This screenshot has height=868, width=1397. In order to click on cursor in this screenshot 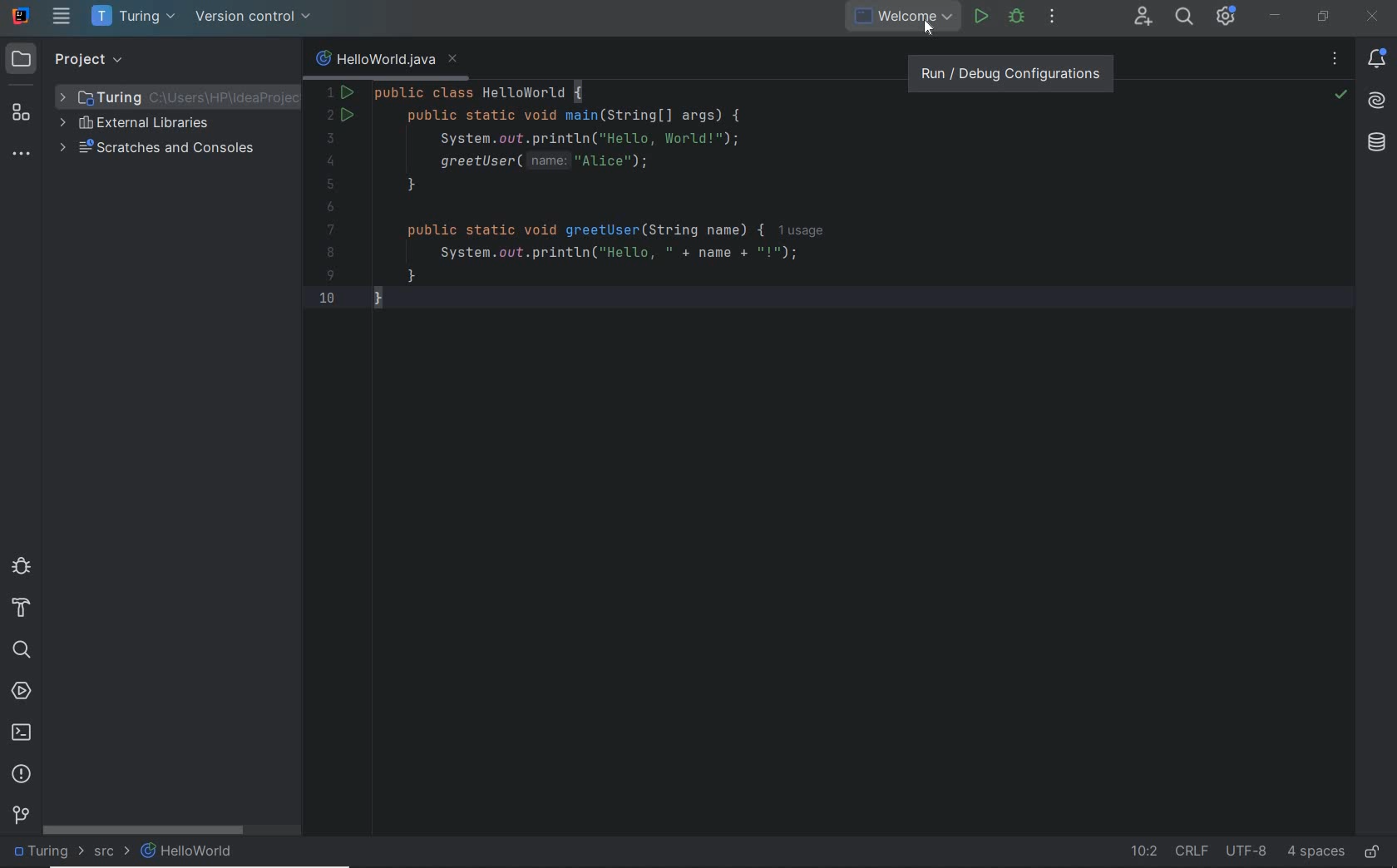, I will do `click(941, 25)`.